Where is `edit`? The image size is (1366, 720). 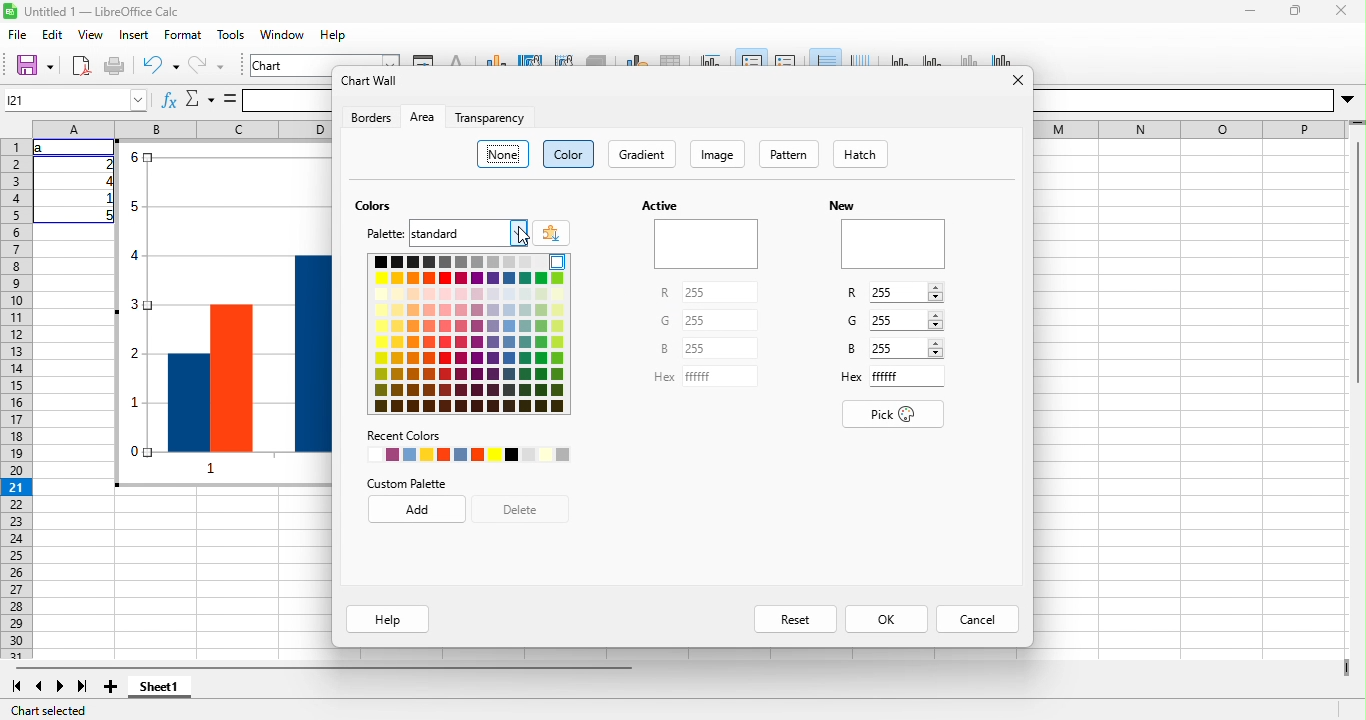 edit is located at coordinates (53, 34).